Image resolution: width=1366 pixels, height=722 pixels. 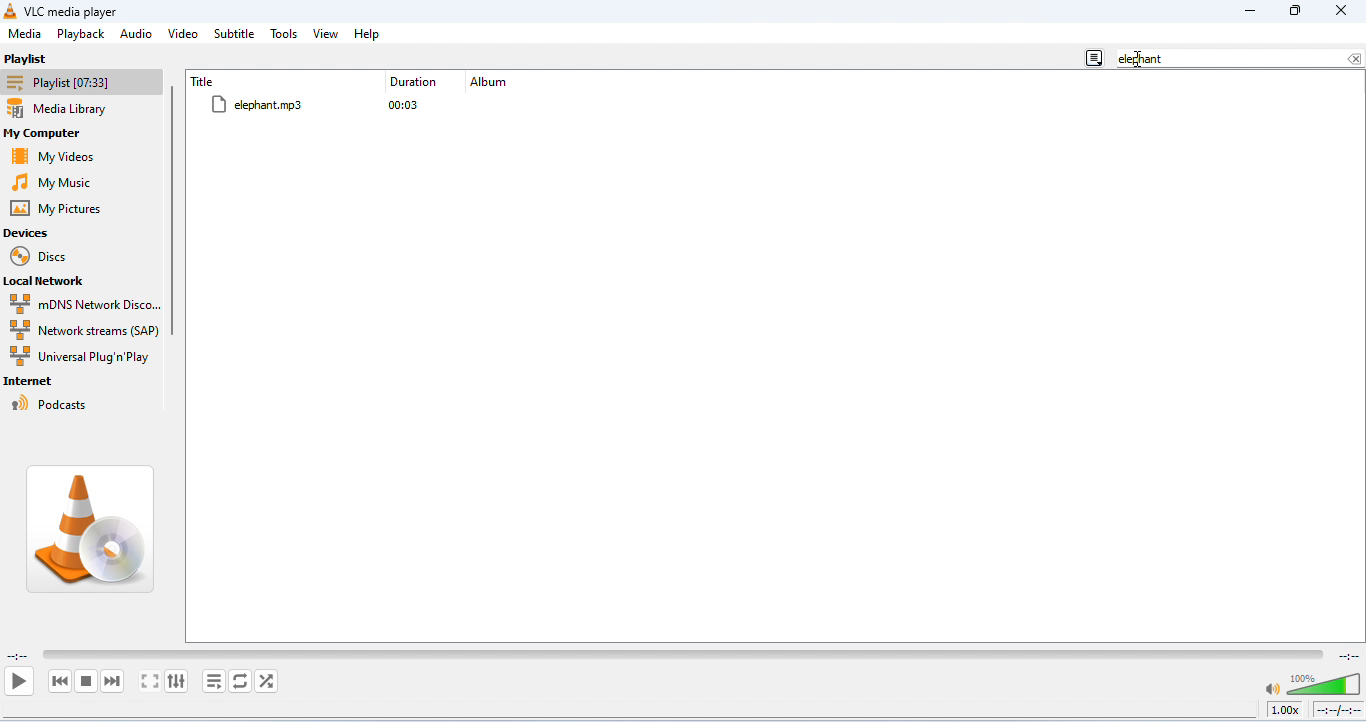 I want to click on , so click(x=1295, y=11).